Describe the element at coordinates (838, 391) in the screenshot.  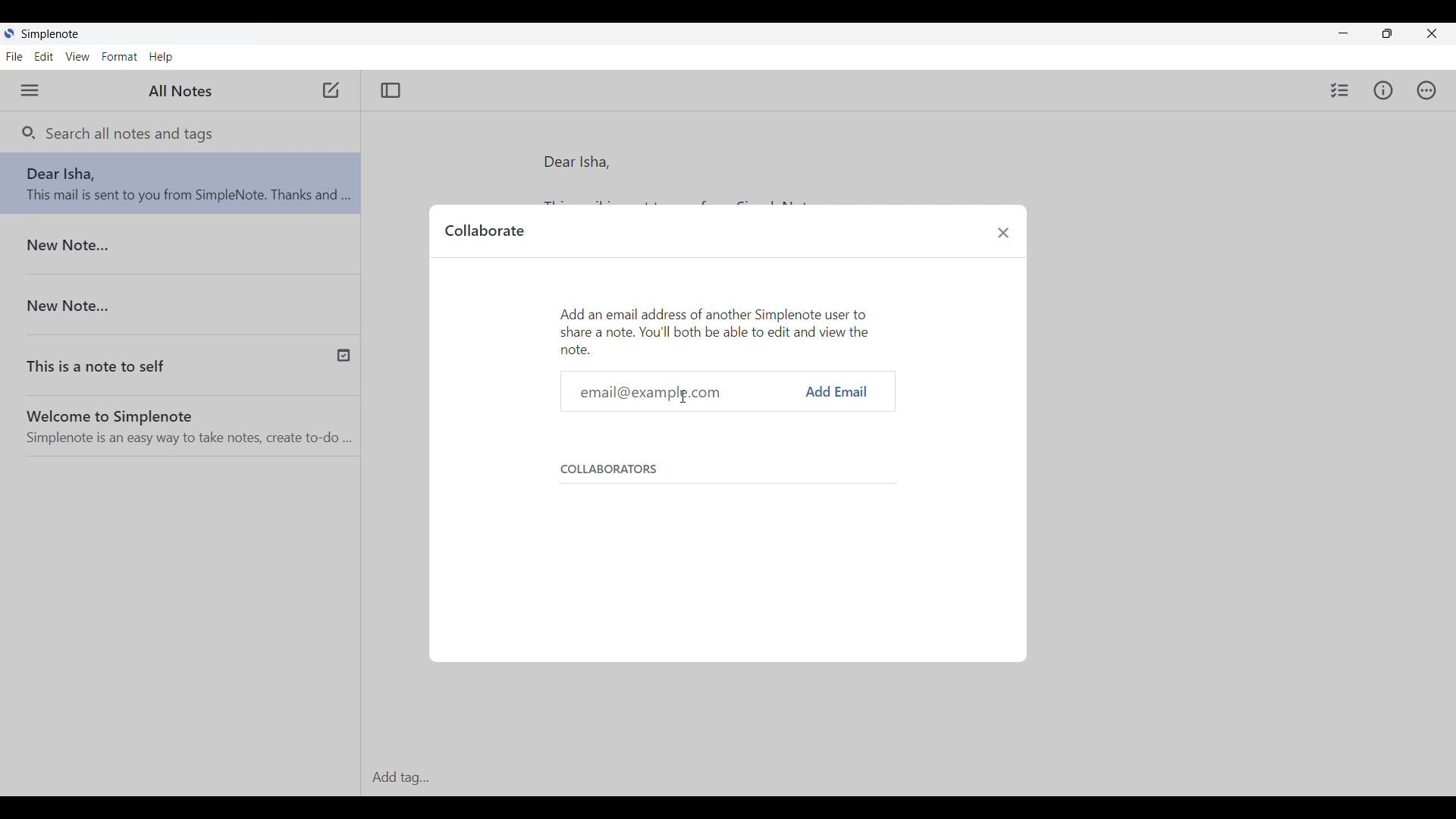
I see `add mail` at that location.